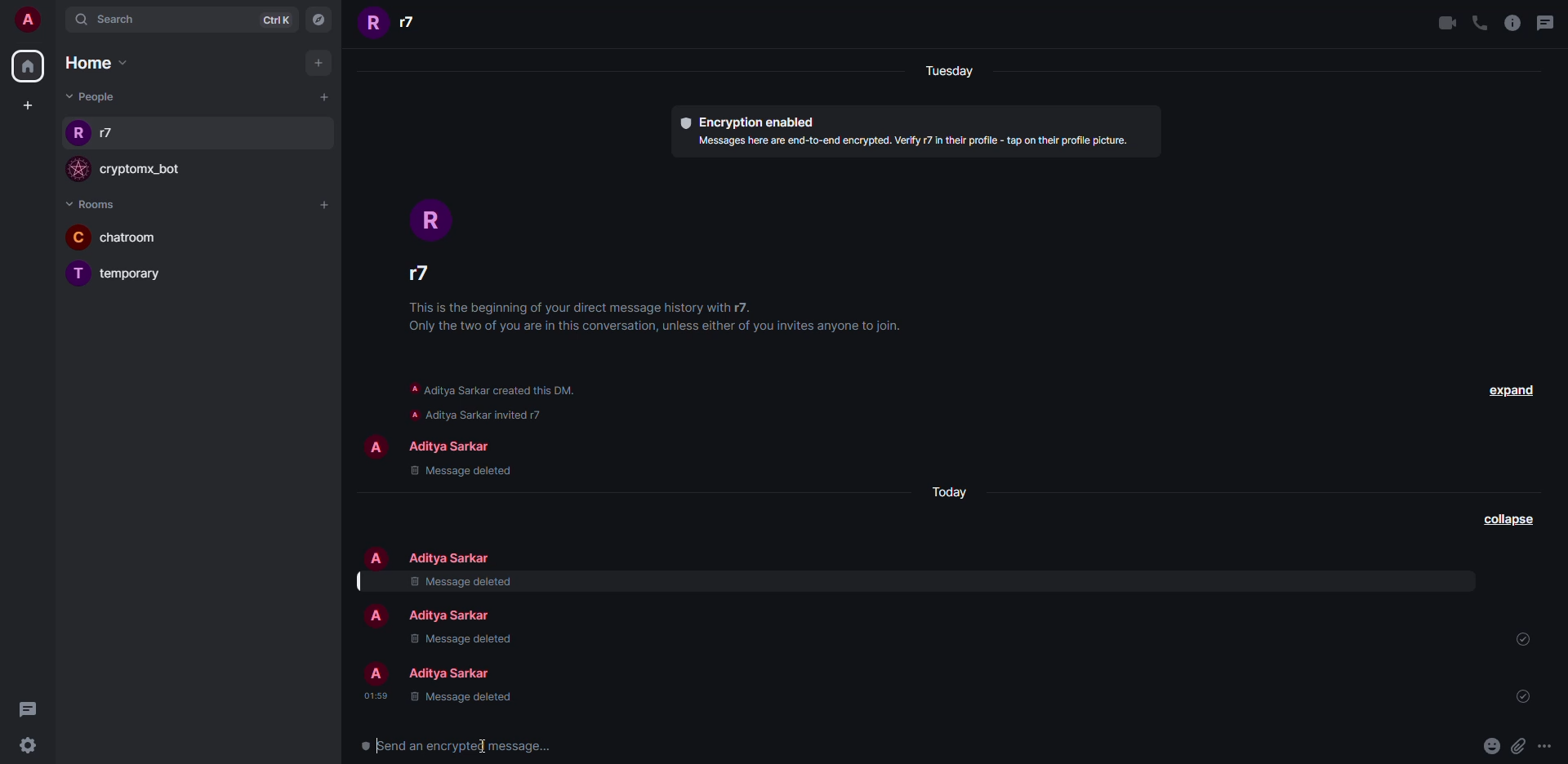 This screenshot has height=764, width=1568. What do you see at coordinates (29, 748) in the screenshot?
I see `settings` at bounding box center [29, 748].